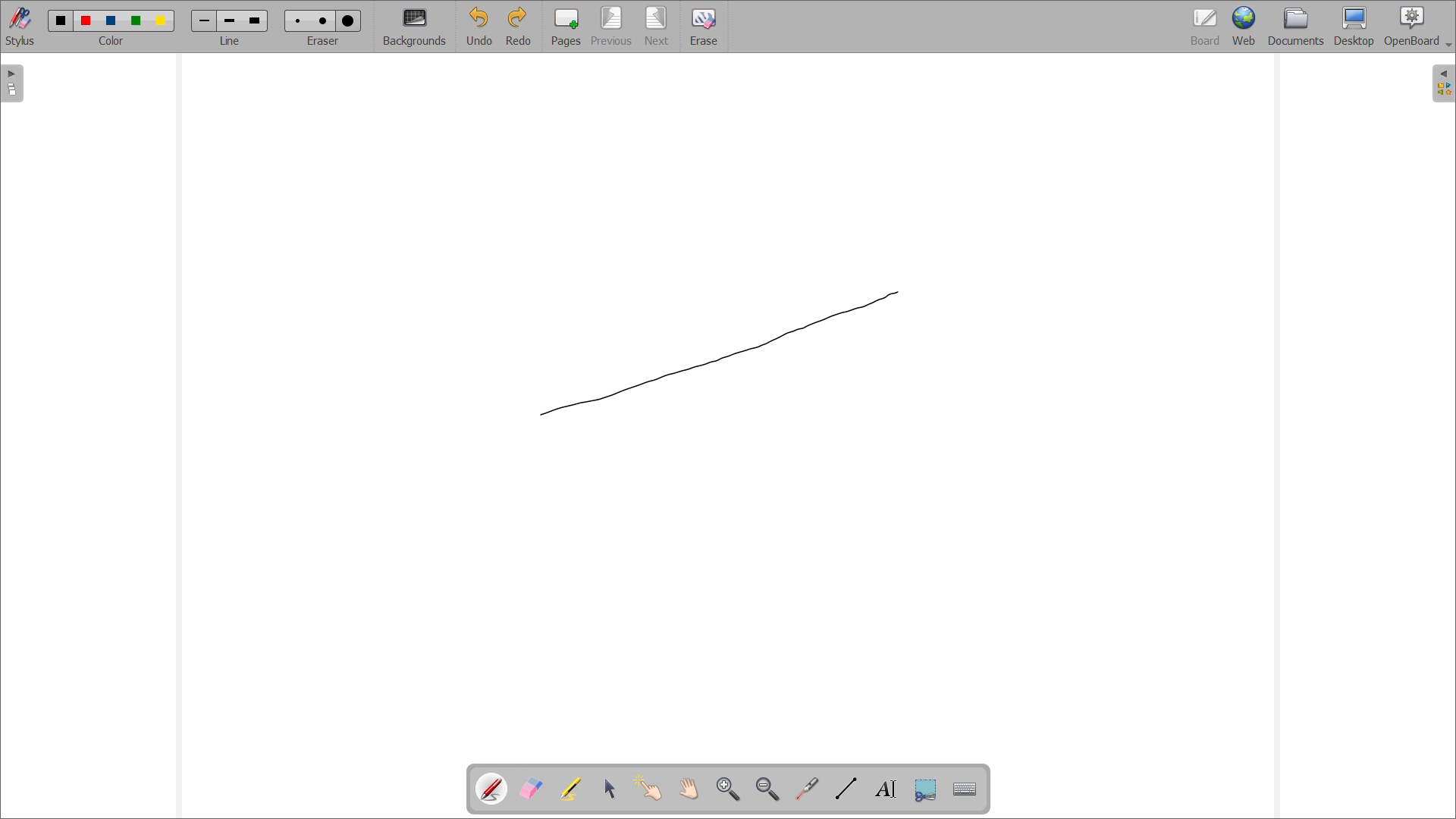 Image resolution: width=1456 pixels, height=819 pixels. Describe the element at coordinates (479, 26) in the screenshot. I see `undo` at that location.